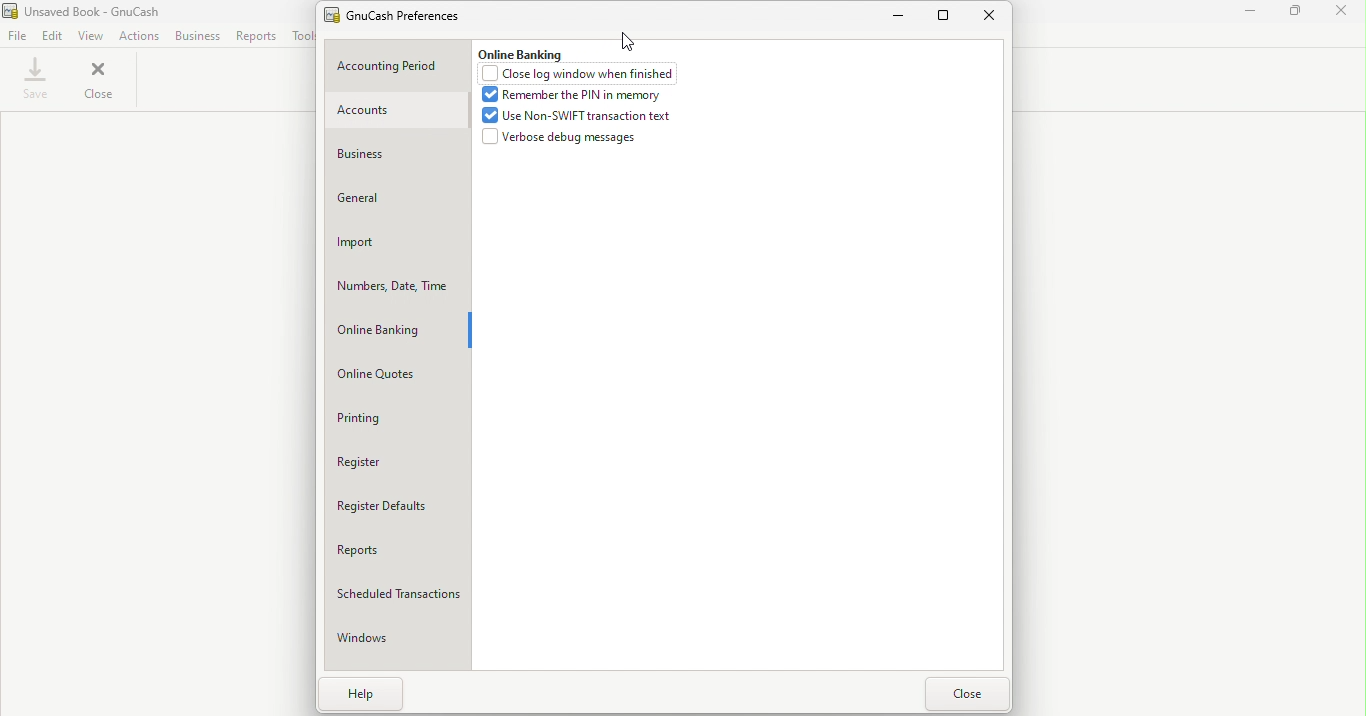  I want to click on Minimize, so click(901, 17).